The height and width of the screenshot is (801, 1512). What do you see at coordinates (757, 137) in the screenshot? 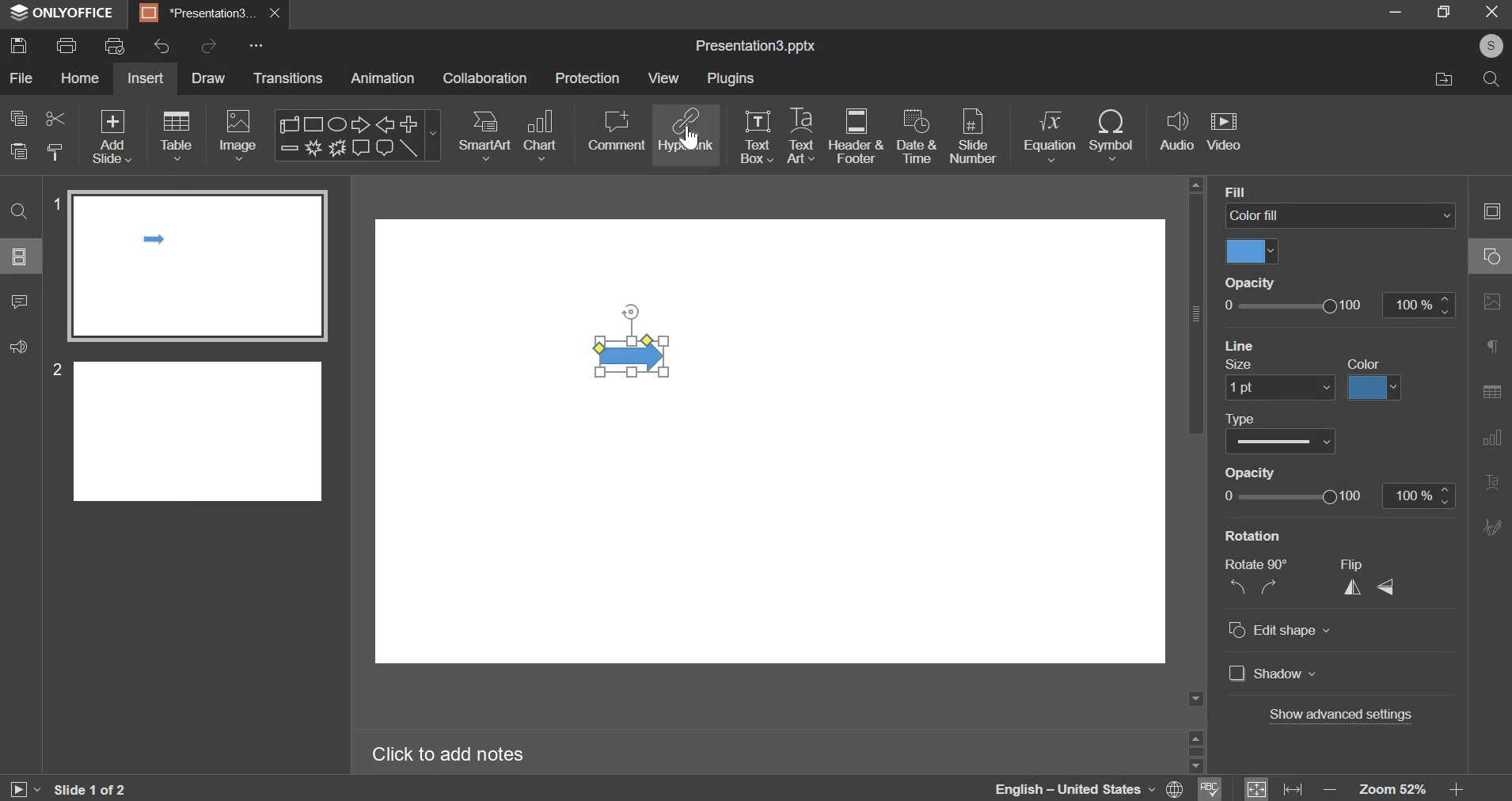
I see `text box` at bounding box center [757, 137].